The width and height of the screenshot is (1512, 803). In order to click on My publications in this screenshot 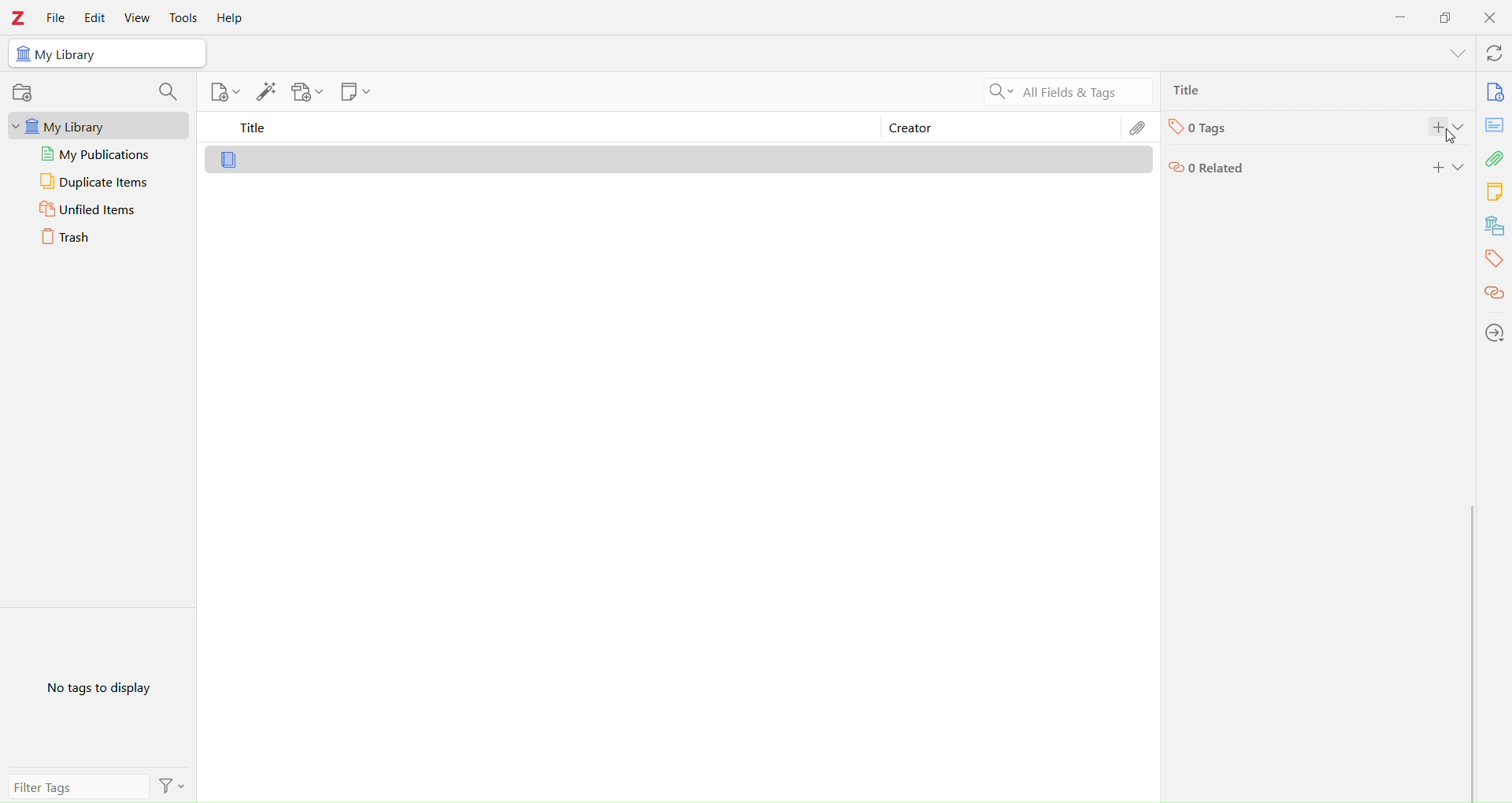, I will do `click(96, 154)`.